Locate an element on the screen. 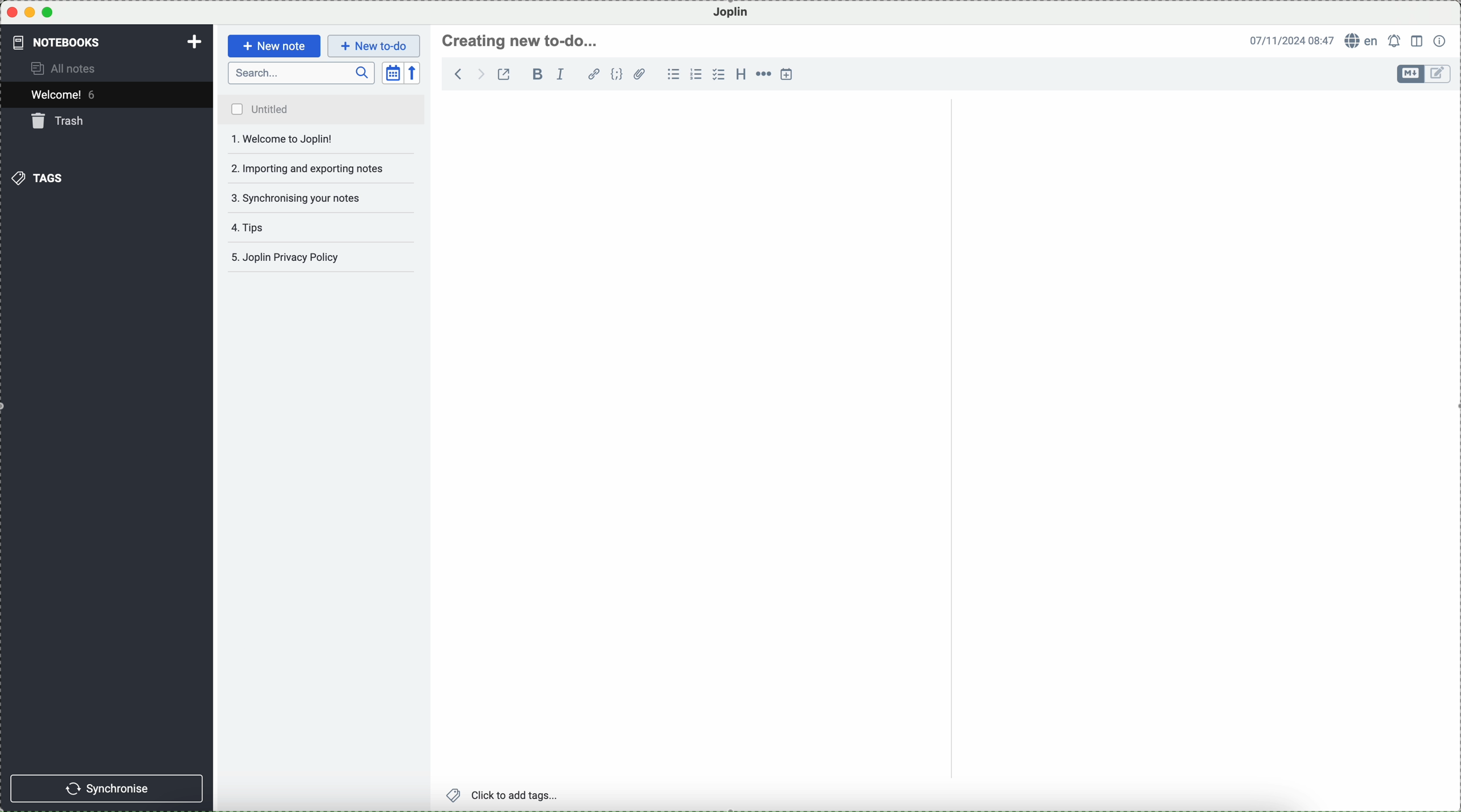  toggle sort order field is located at coordinates (393, 73).